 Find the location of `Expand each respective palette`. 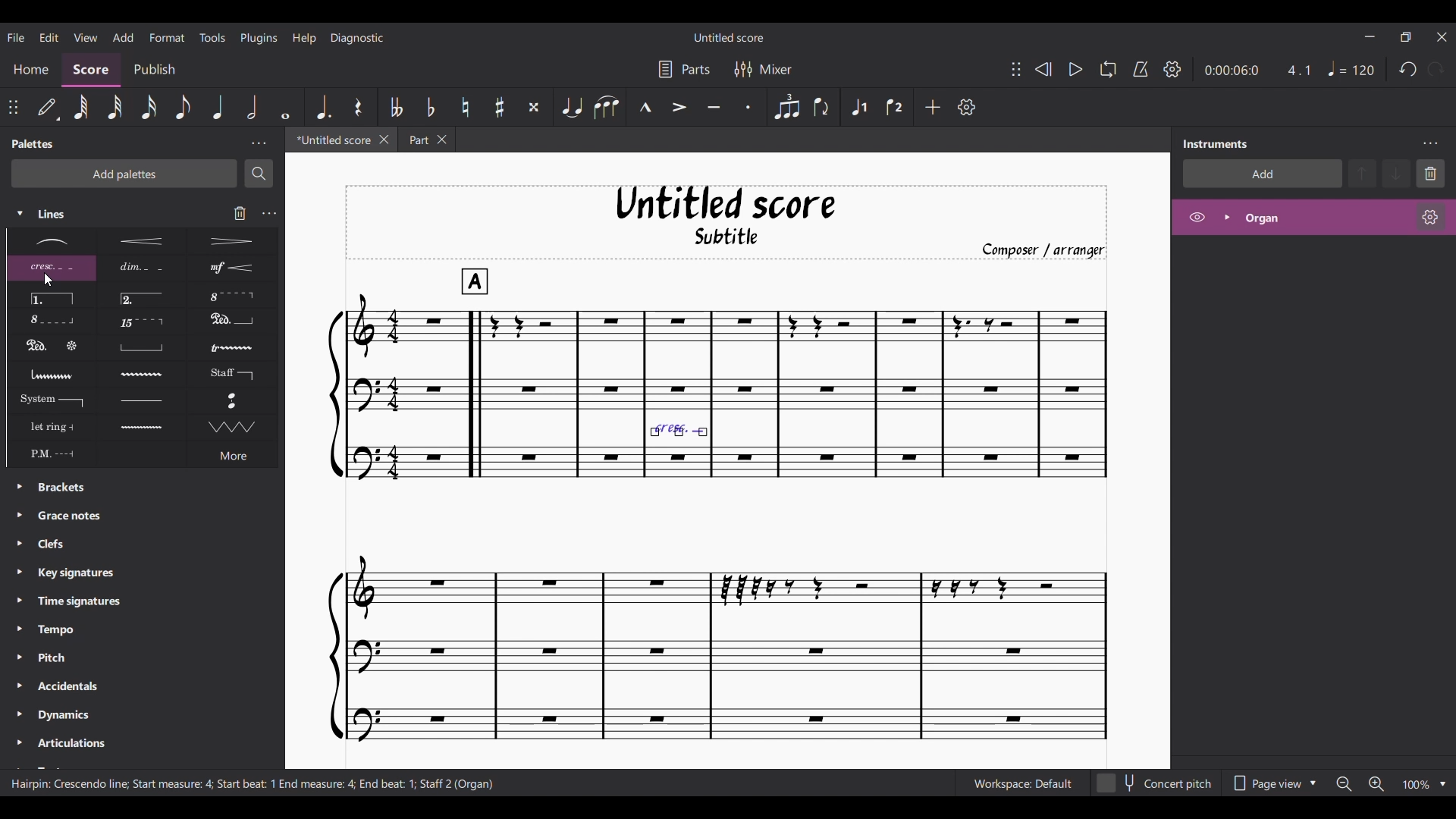

Expand each respective palette is located at coordinates (14, 619).